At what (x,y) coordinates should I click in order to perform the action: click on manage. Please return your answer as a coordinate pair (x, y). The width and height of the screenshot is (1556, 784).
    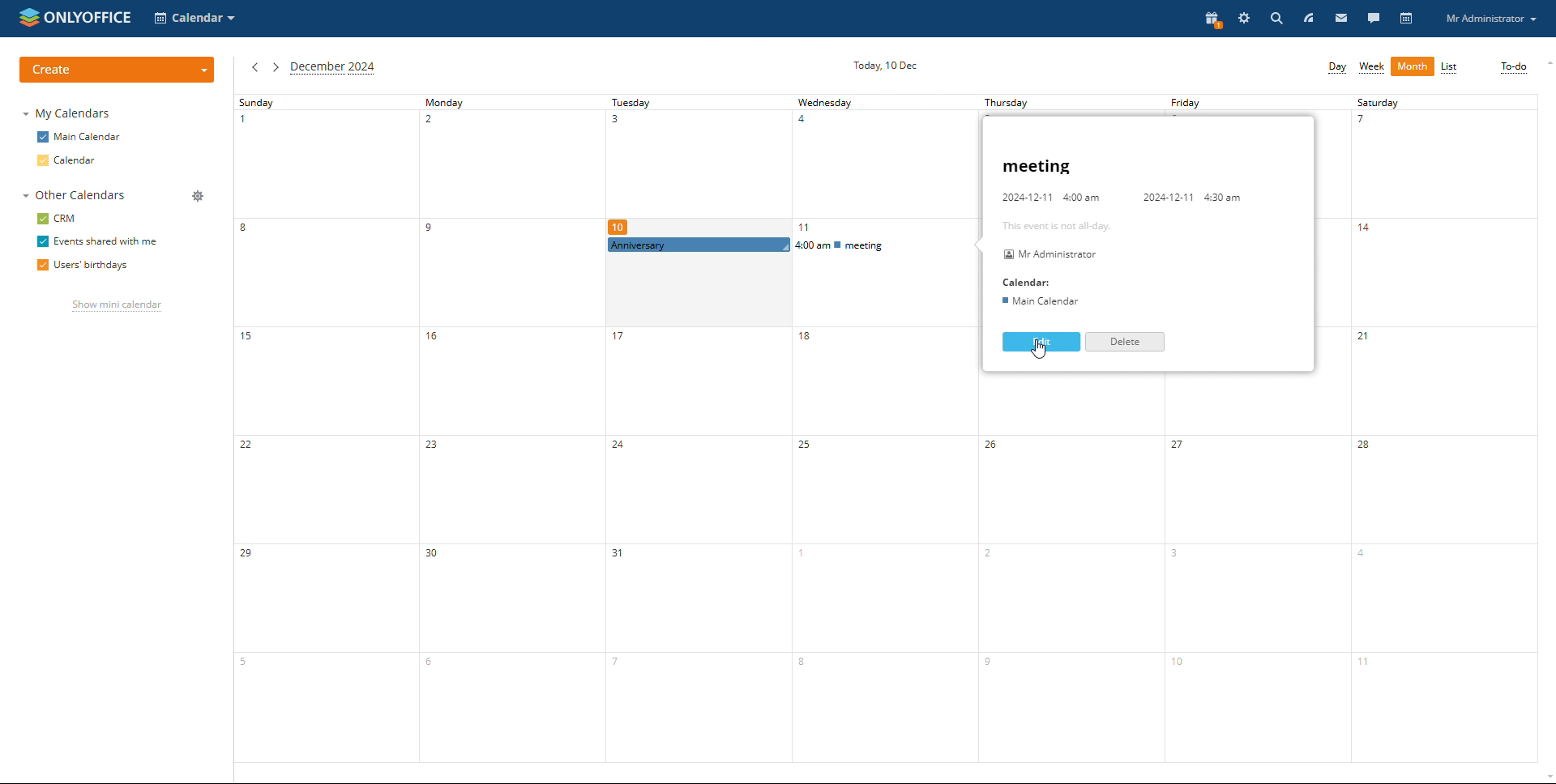
    Looking at the image, I should click on (196, 195).